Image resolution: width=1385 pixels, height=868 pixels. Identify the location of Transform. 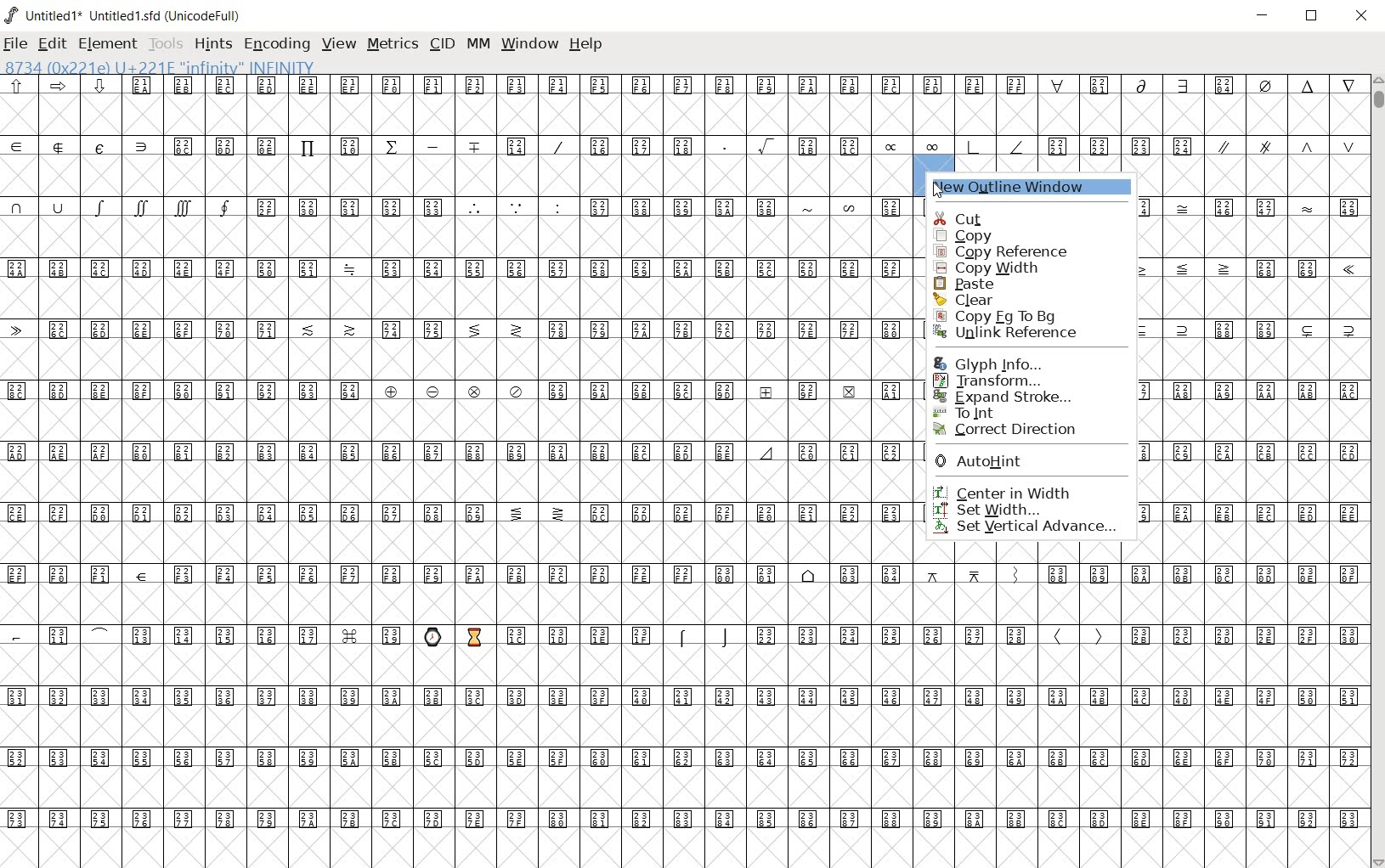
(1005, 380).